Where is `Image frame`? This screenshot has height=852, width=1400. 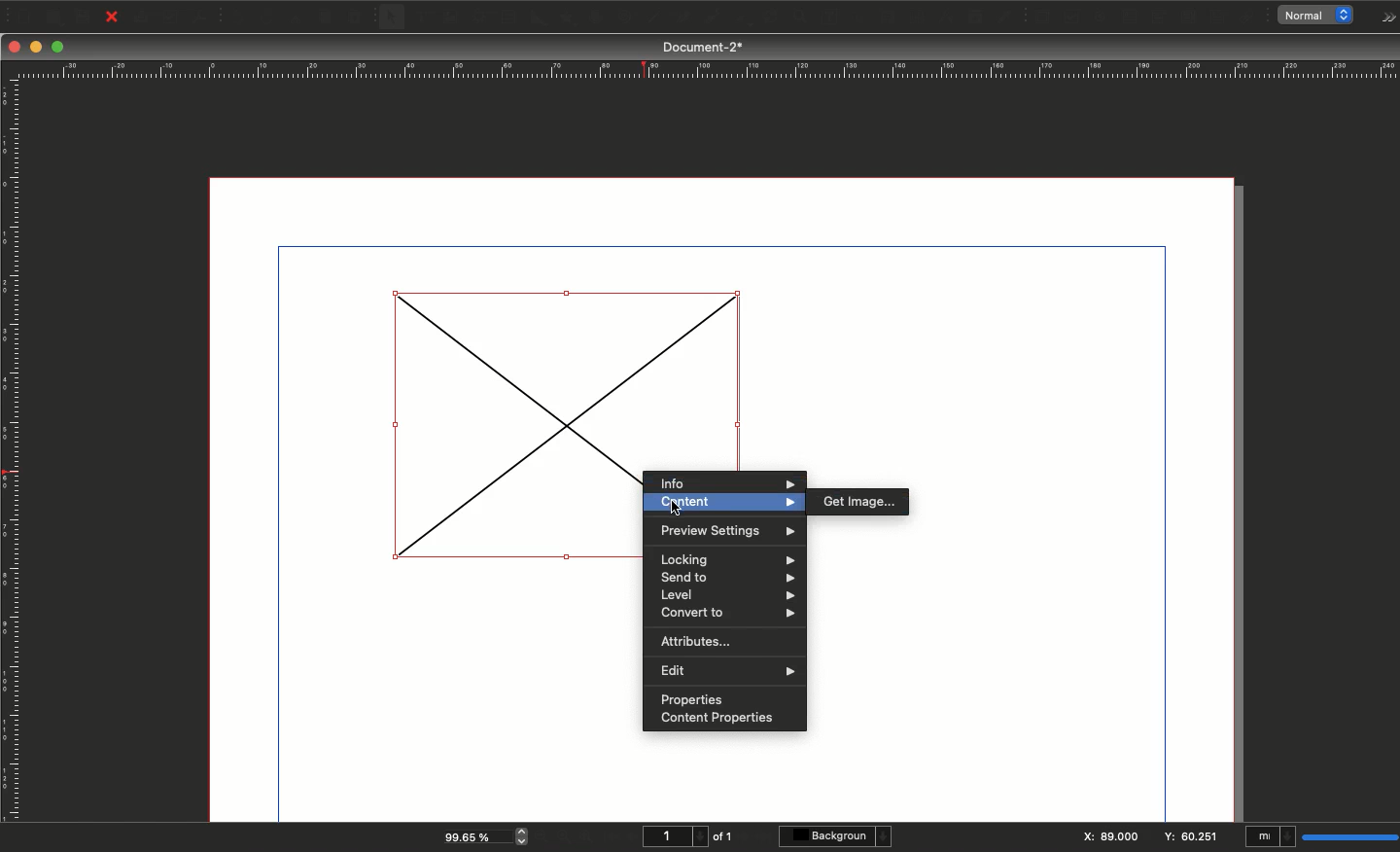
Image frame is located at coordinates (453, 19).